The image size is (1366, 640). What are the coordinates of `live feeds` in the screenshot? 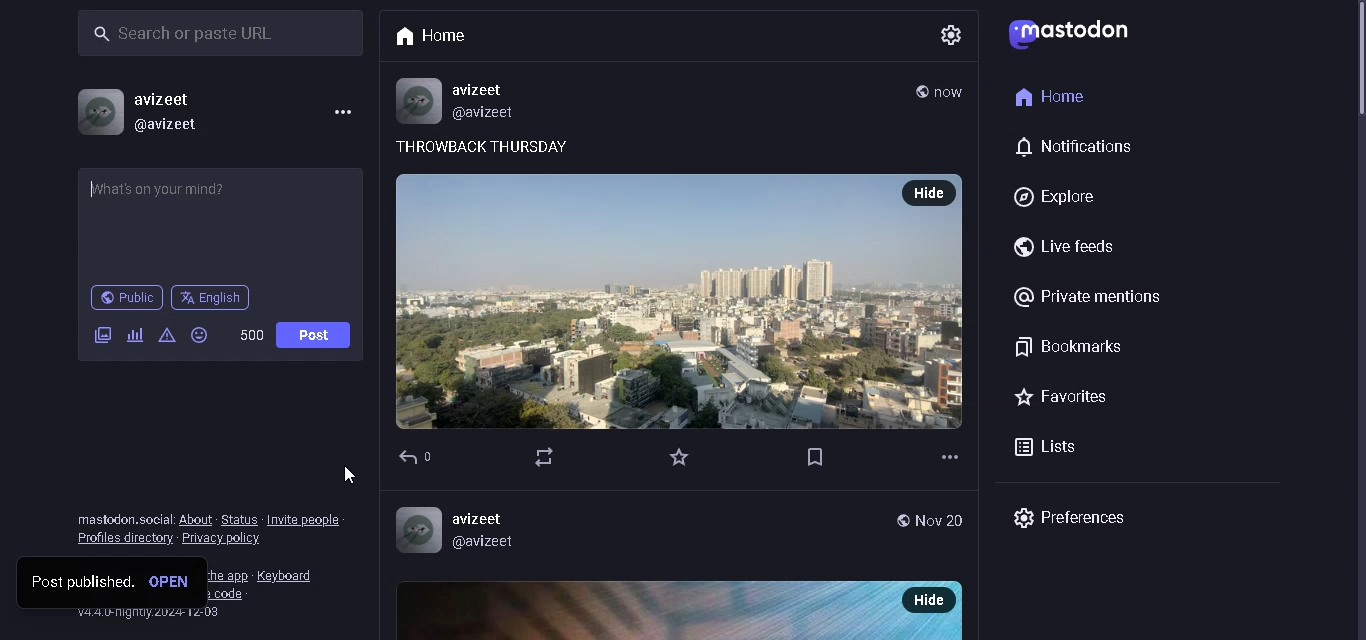 It's located at (1066, 245).